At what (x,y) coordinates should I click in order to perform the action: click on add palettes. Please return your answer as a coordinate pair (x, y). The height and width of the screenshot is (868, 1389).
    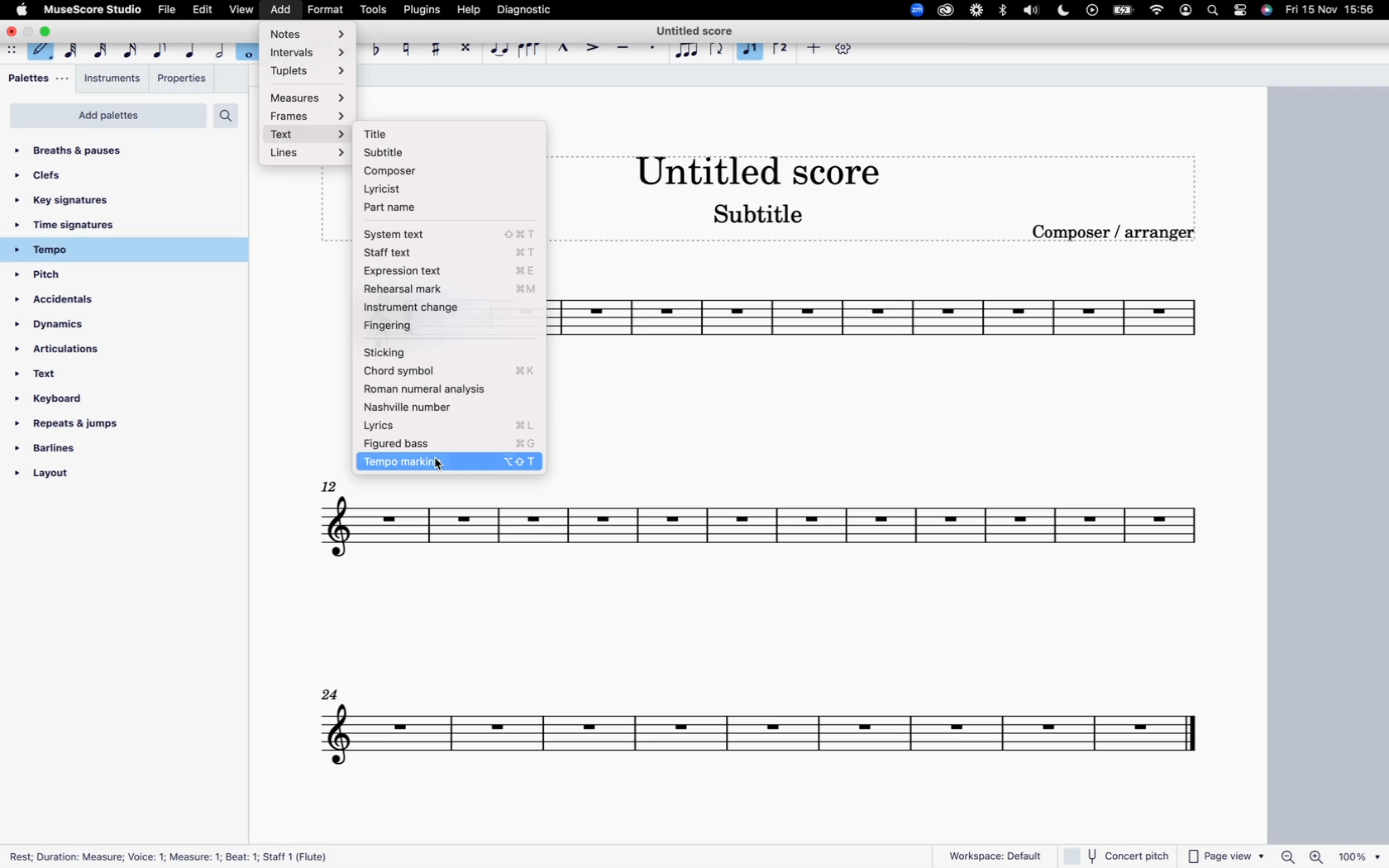
    Looking at the image, I should click on (106, 117).